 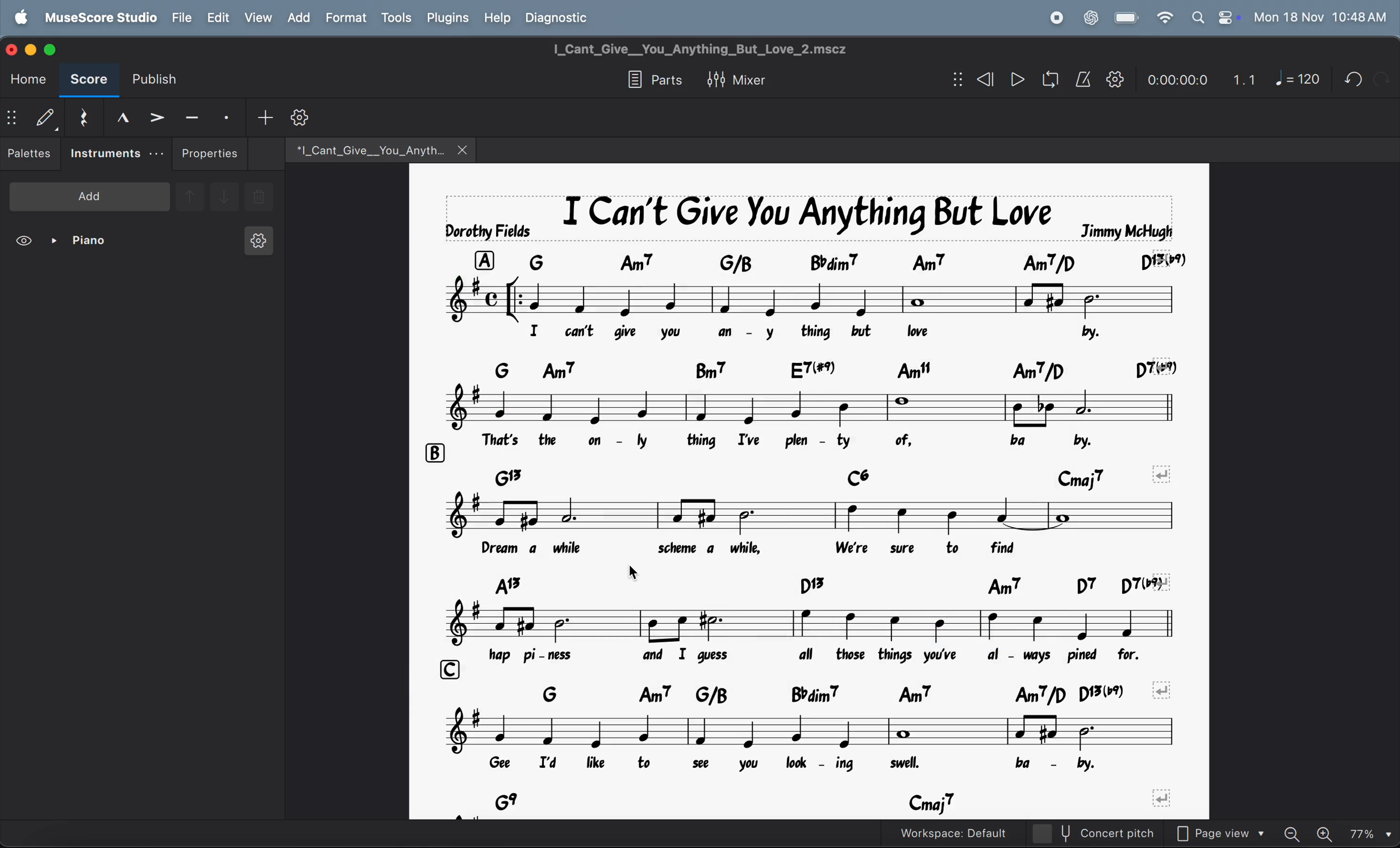 I want to click on redo, so click(x=1349, y=79).